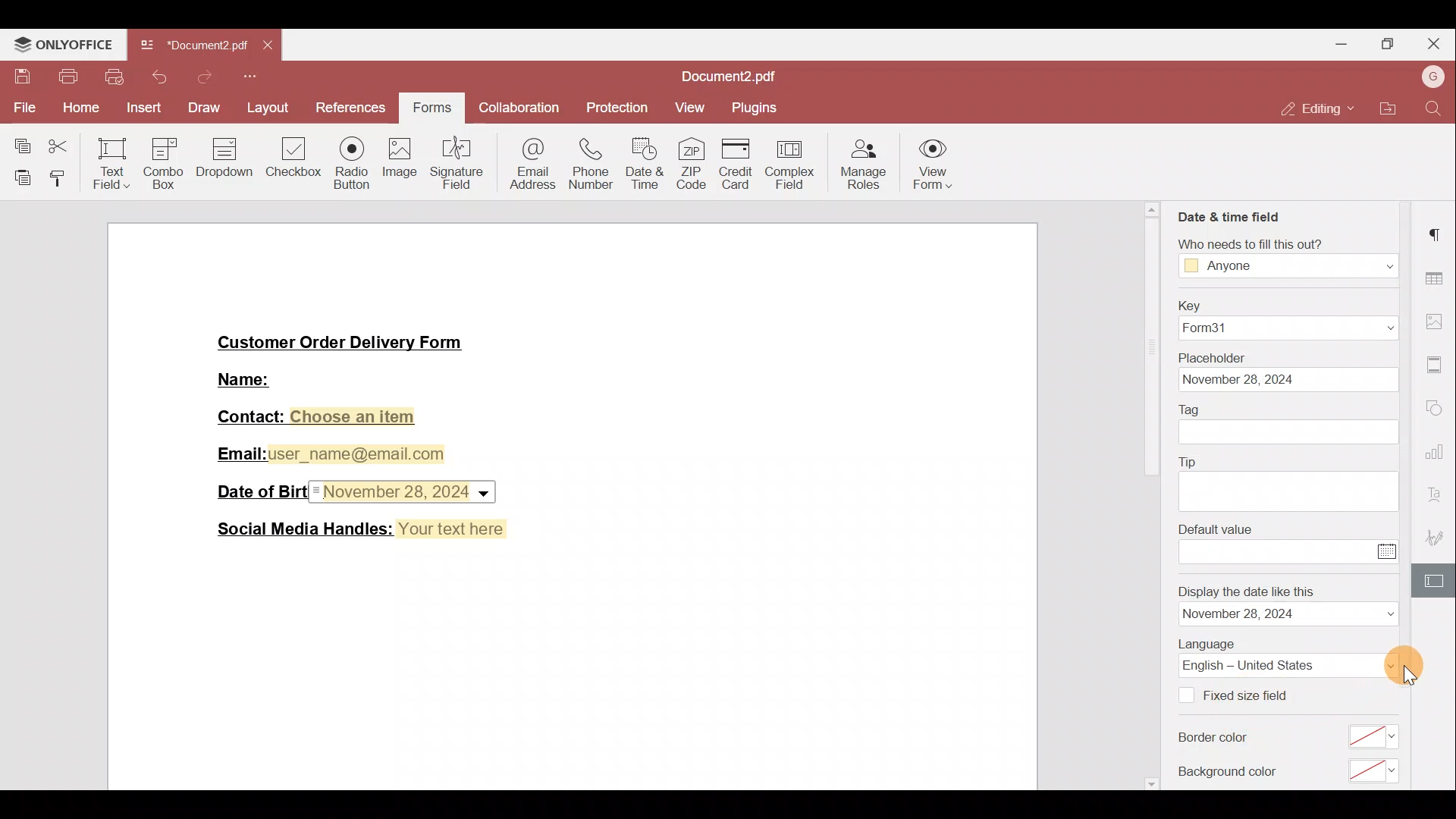  I want to click on Dropdown, so click(226, 161).